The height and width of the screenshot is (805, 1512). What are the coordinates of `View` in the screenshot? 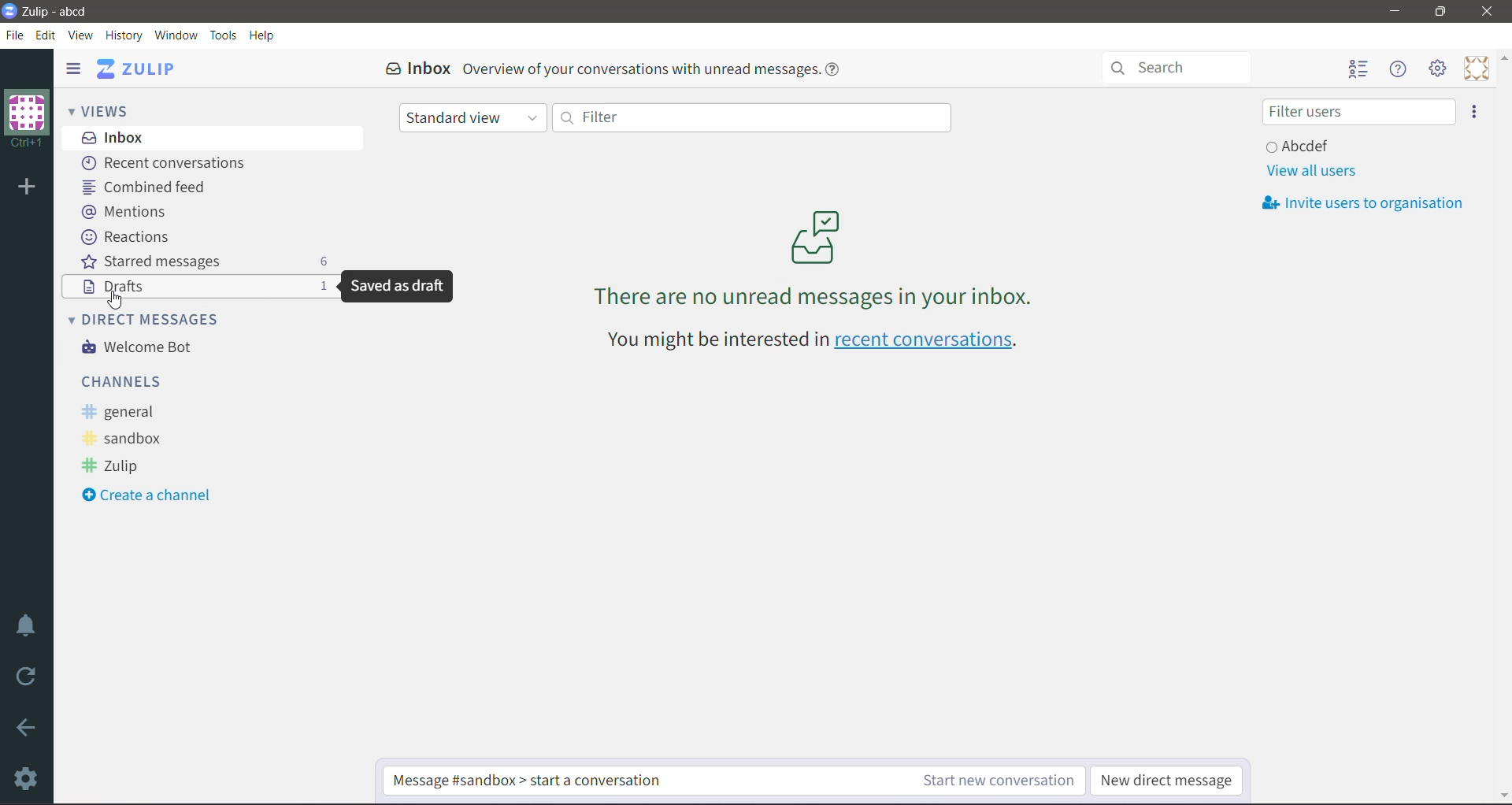 It's located at (82, 35).